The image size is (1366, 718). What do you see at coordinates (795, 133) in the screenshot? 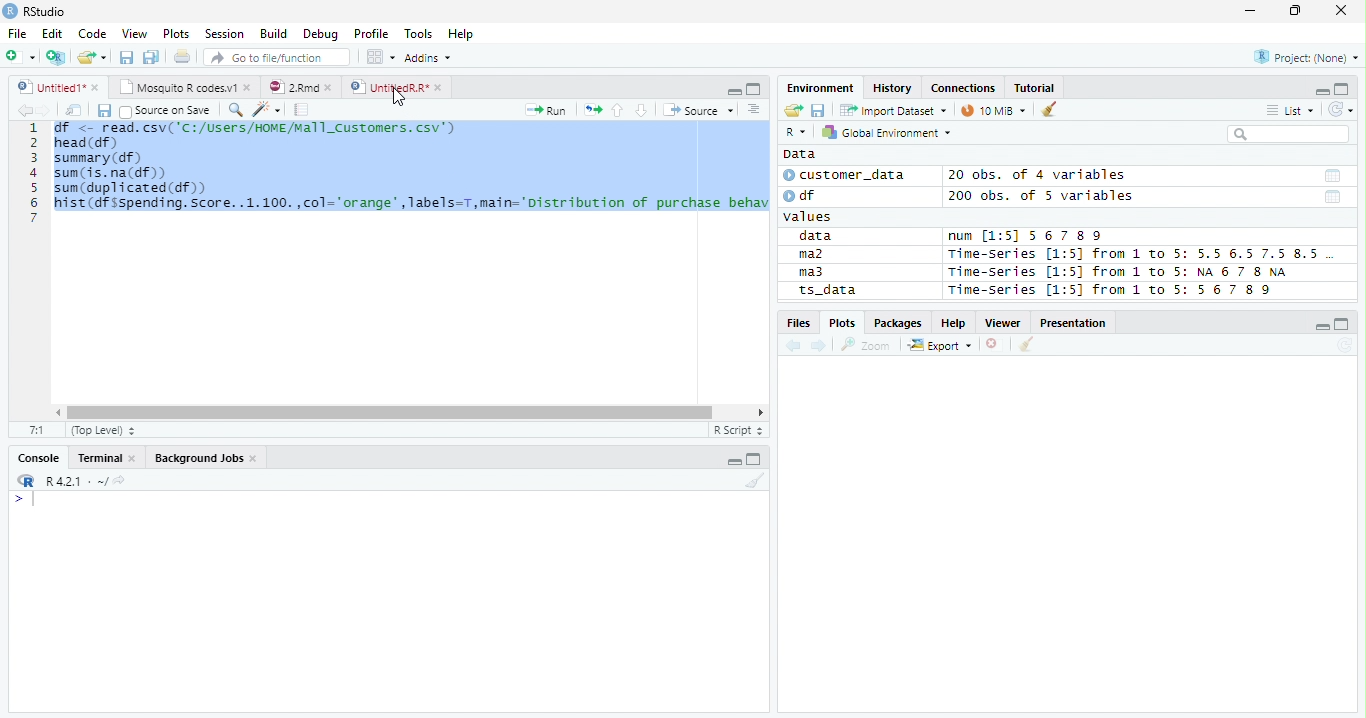
I see `R` at bounding box center [795, 133].